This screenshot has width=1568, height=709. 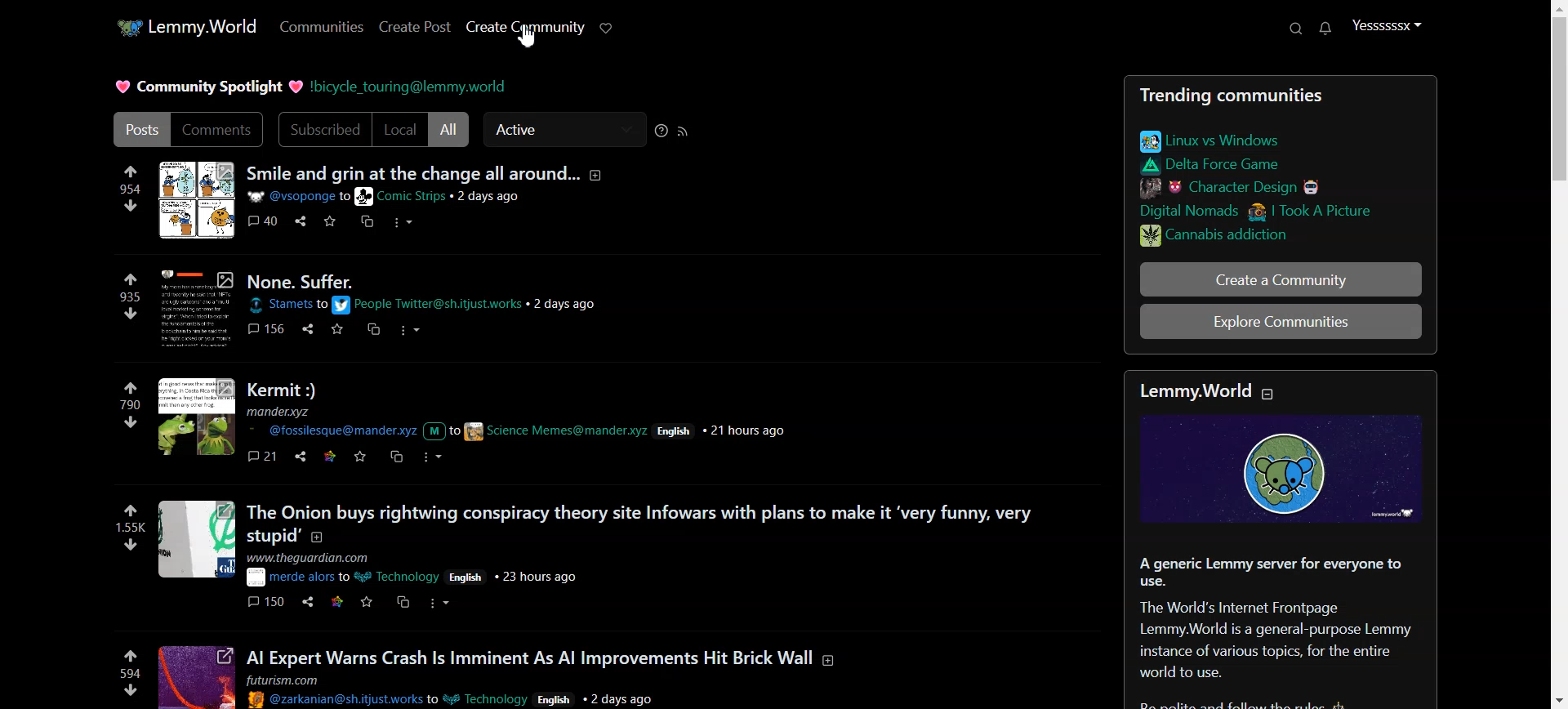 What do you see at coordinates (1272, 97) in the screenshot?
I see `trending` at bounding box center [1272, 97].